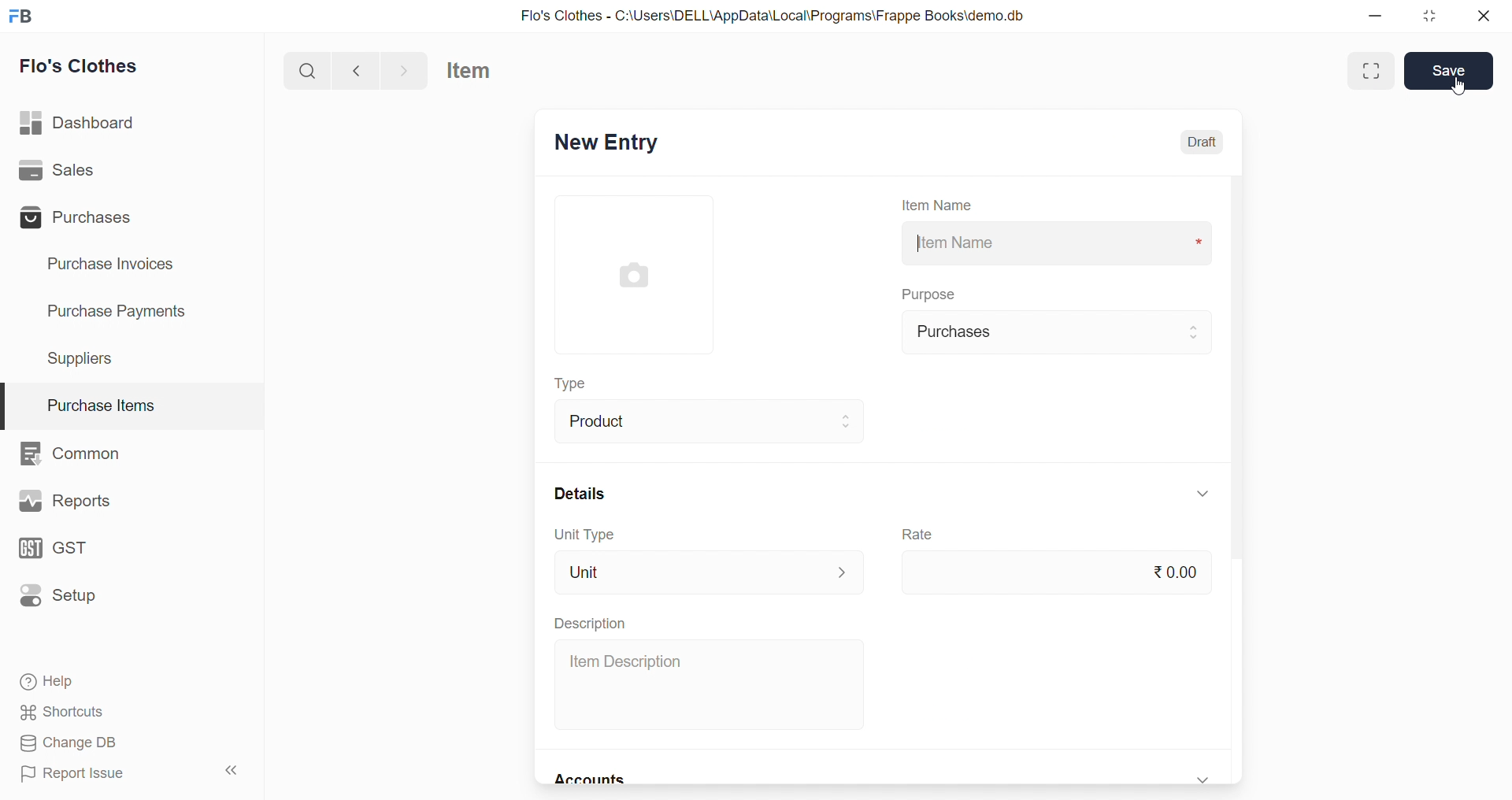 The width and height of the screenshot is (1512, 800). I want to click on New Entry, so click(617, 144).